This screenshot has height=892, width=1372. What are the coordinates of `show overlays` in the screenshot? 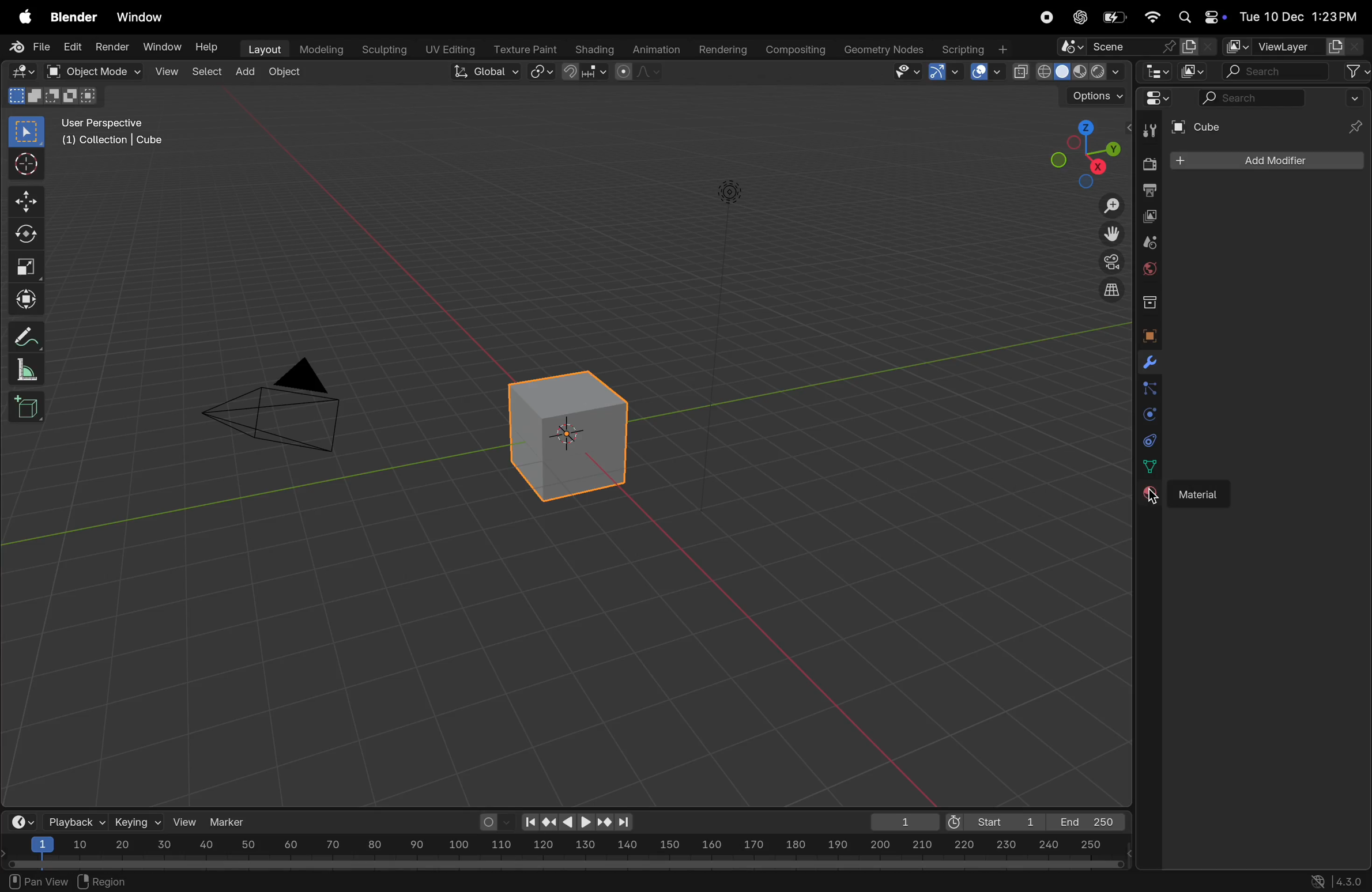 It's located at (985, 72).